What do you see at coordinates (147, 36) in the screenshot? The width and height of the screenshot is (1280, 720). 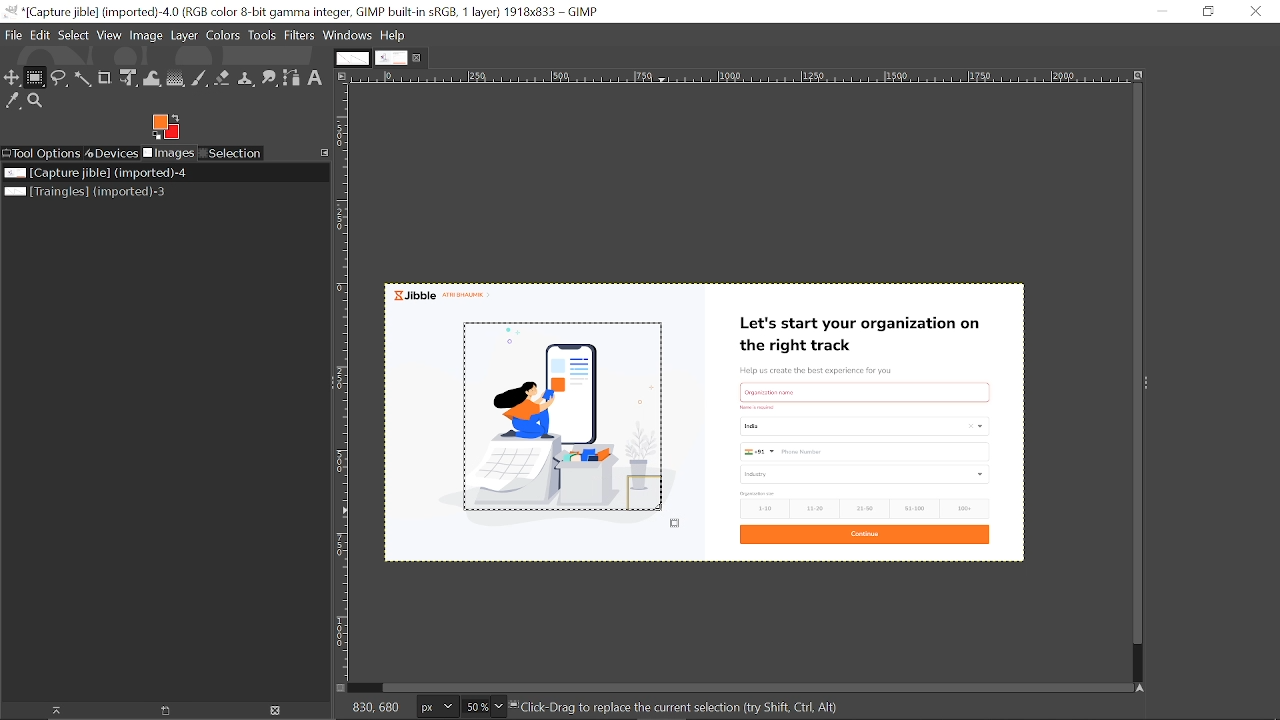 I see `Image` at bounding box center [147, 36].